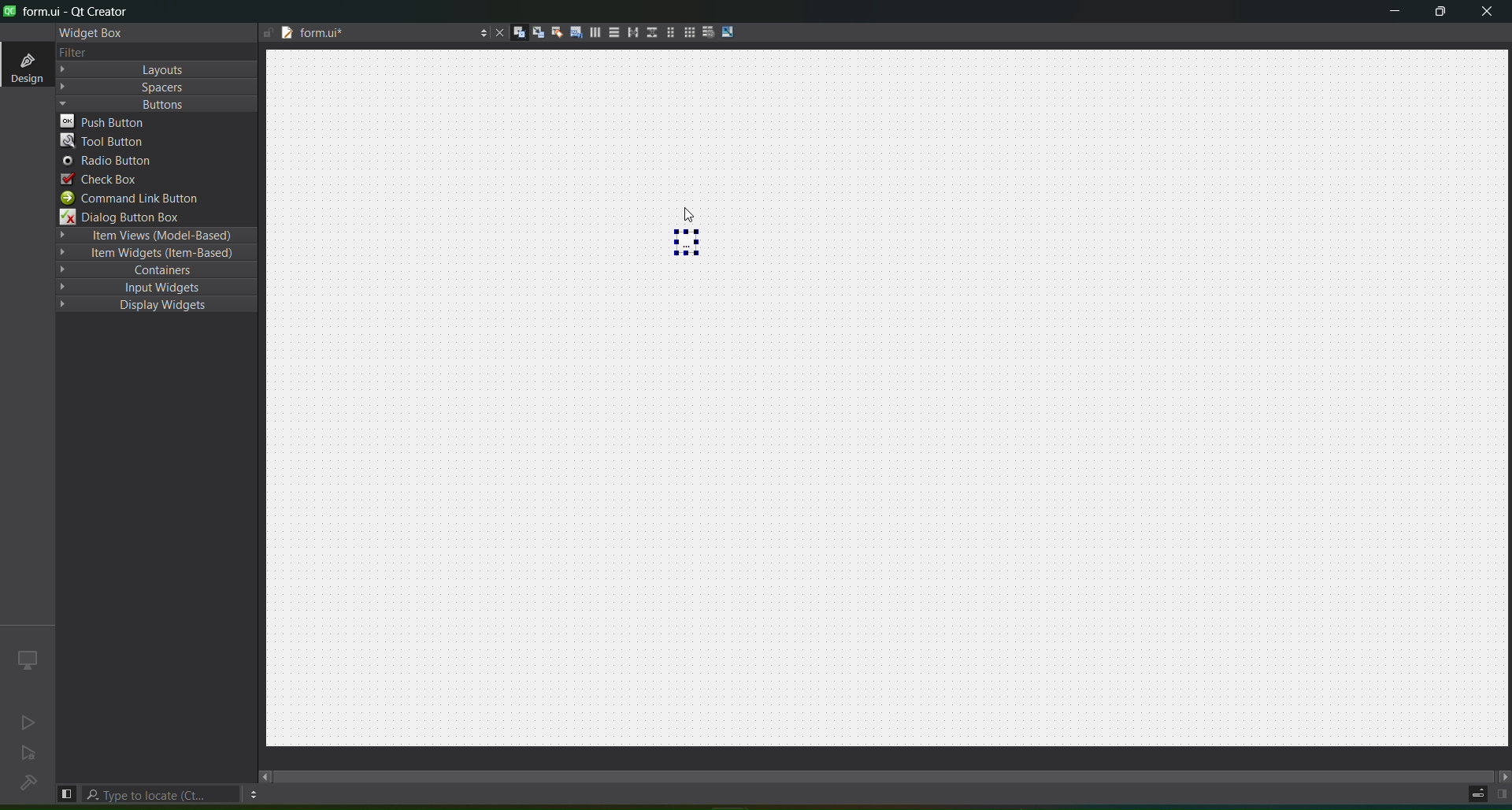  Describe the element at coordinates (882, 774) in the screenshot. I see `scroll bar` at that location.